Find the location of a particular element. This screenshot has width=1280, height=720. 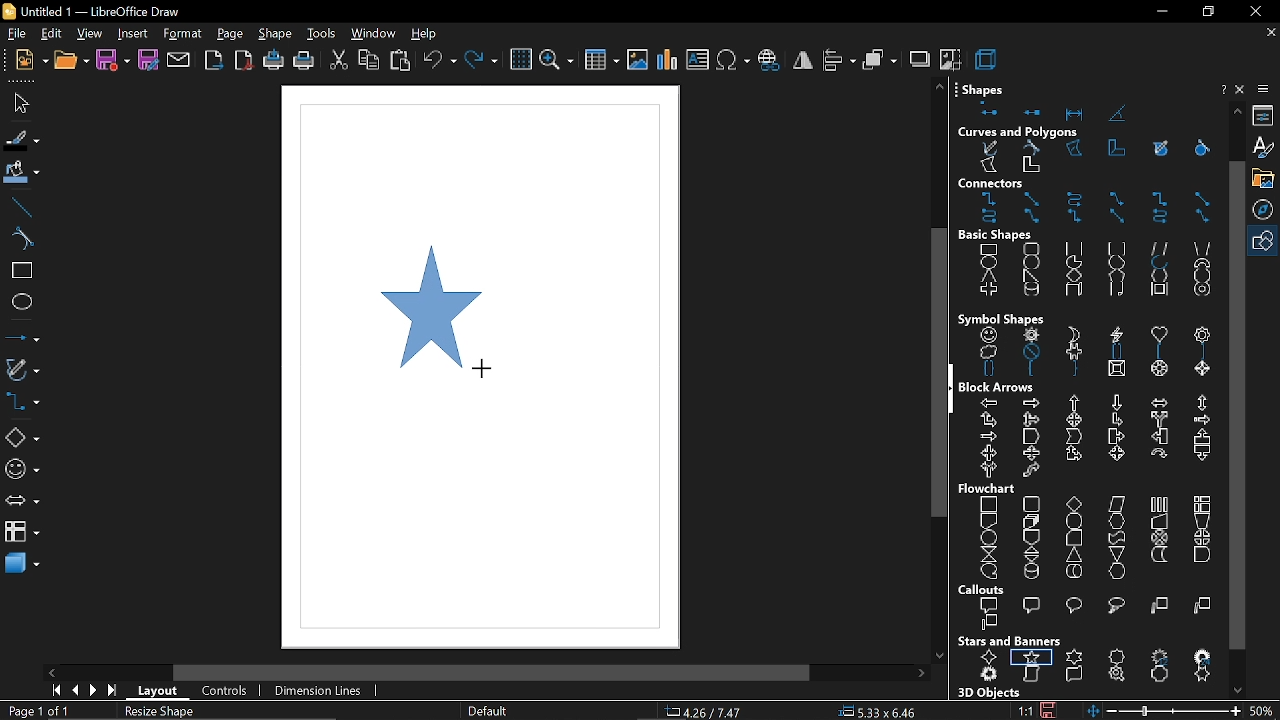

minimize is located at coordinates (1159, 15).